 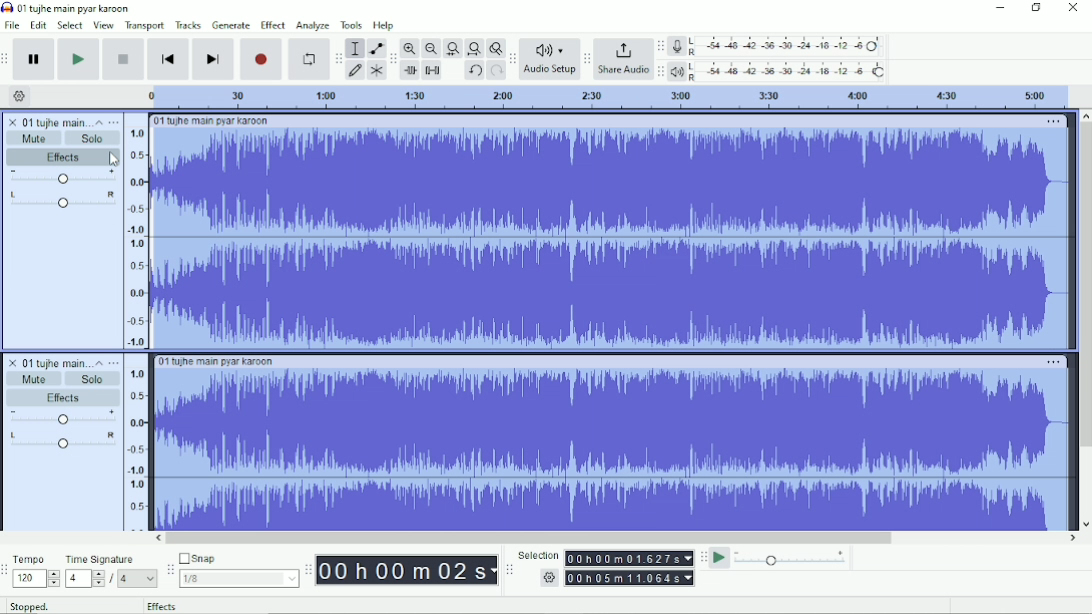 What do you see at coordinates (355, 72) in the screenshot?
I see `Draw tool` at bounding box center [355, 72].